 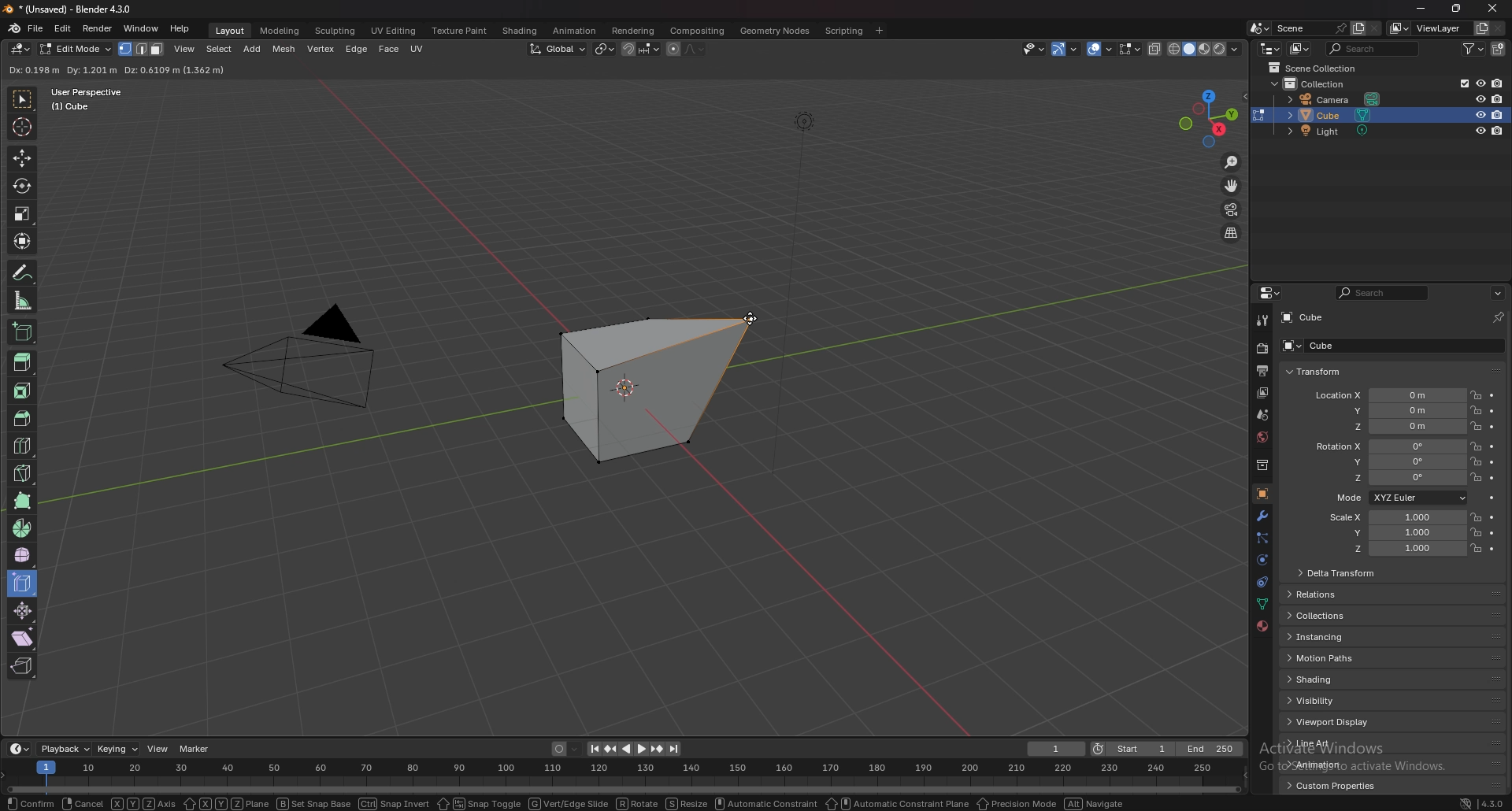 What do you see at coordinates (22, 472) in the screenshot?
I see `knife` at bounding box center [22, 472].